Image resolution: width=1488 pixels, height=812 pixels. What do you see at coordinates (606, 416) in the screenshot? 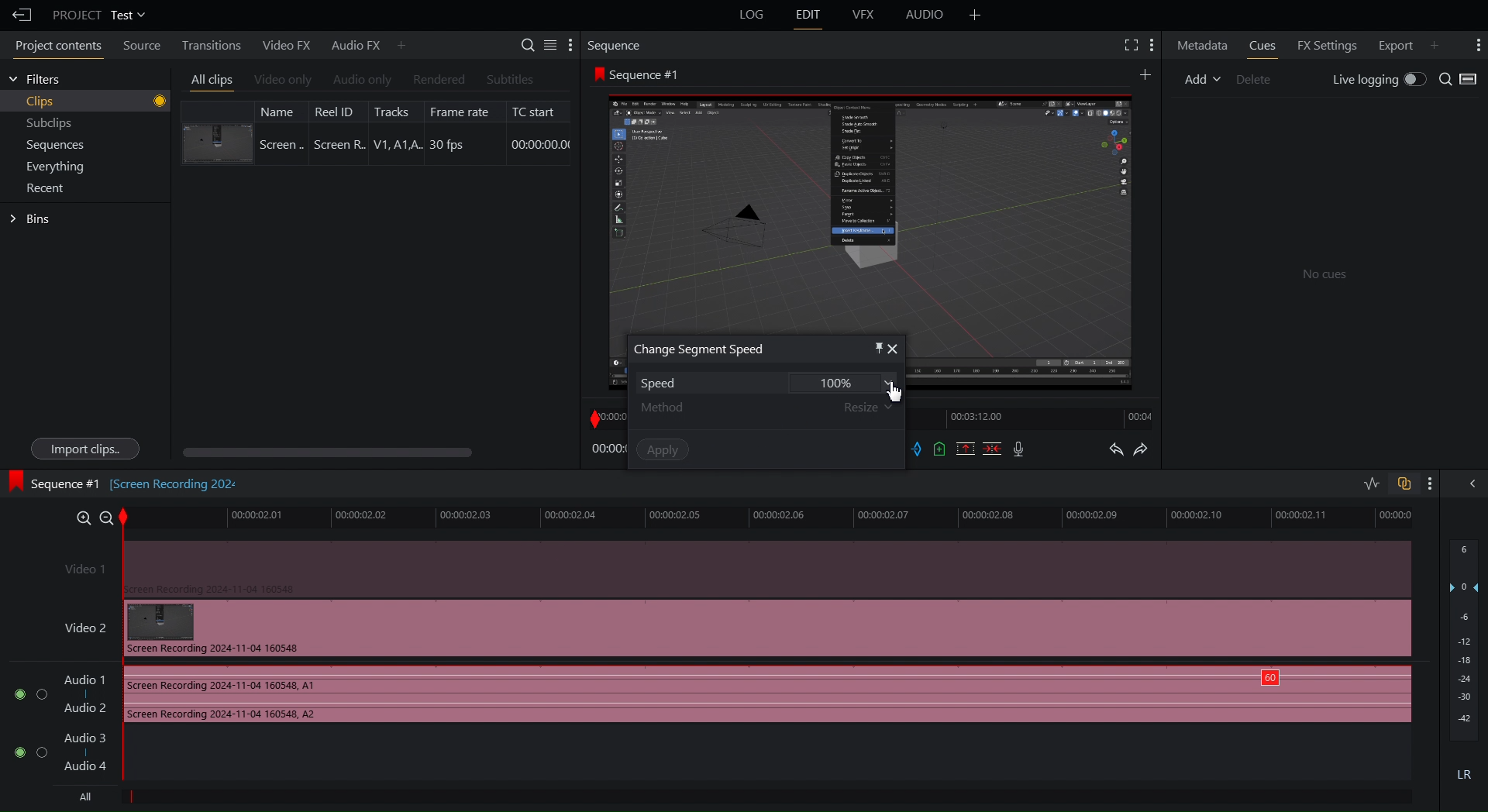
I see `Timeline` at bounding box center [606, 416].